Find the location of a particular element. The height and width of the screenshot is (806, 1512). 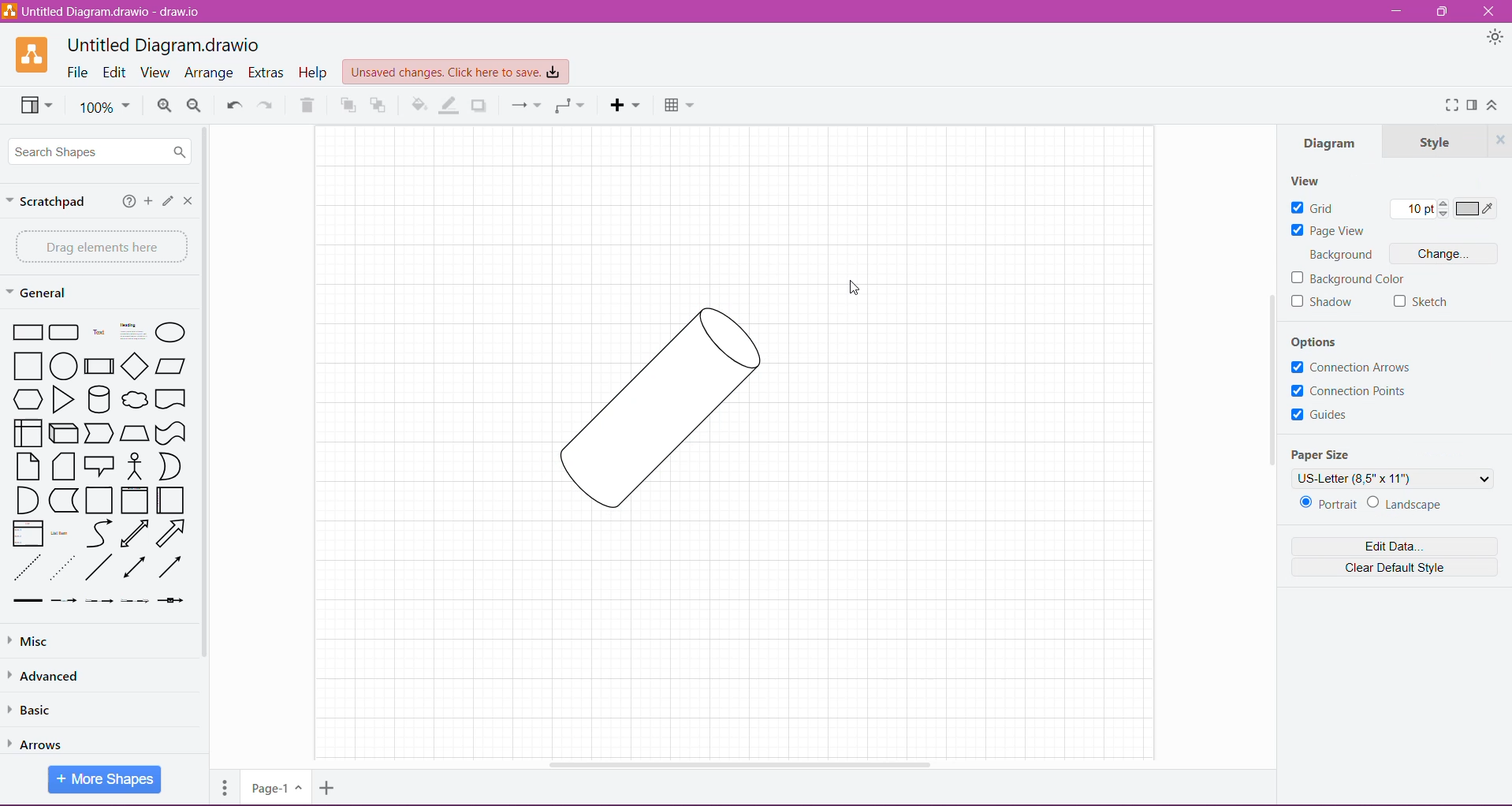

Background Color is located at coordinates (1353, 278).